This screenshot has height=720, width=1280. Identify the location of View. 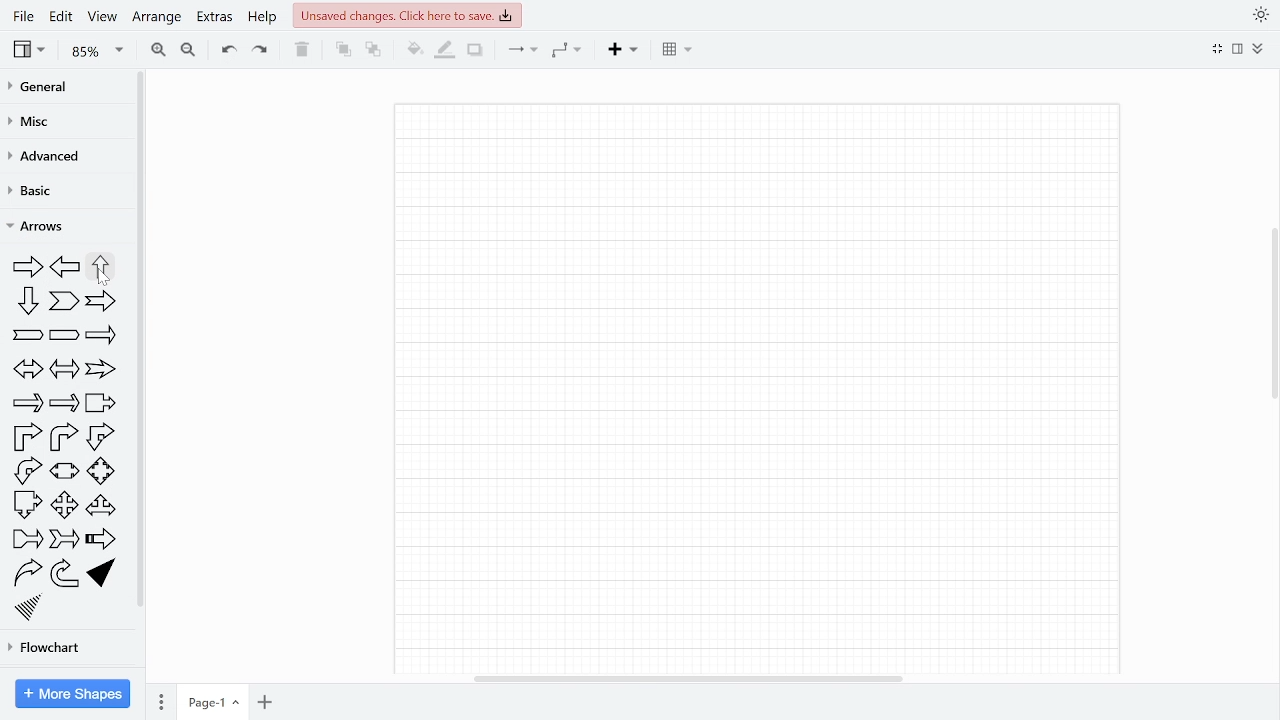
(29, 51).